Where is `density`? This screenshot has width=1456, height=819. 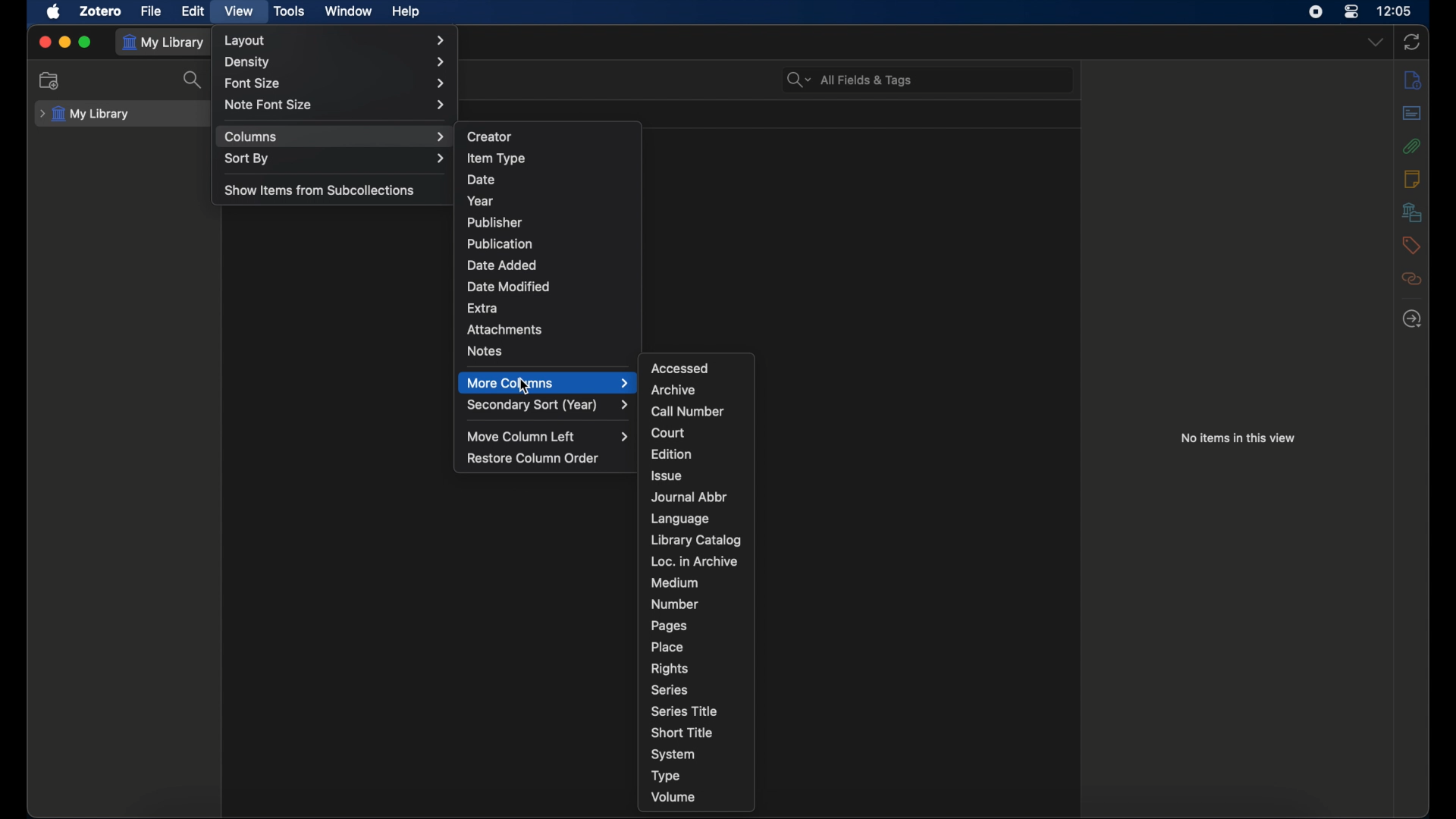 density is located at coordinates (334, 62).